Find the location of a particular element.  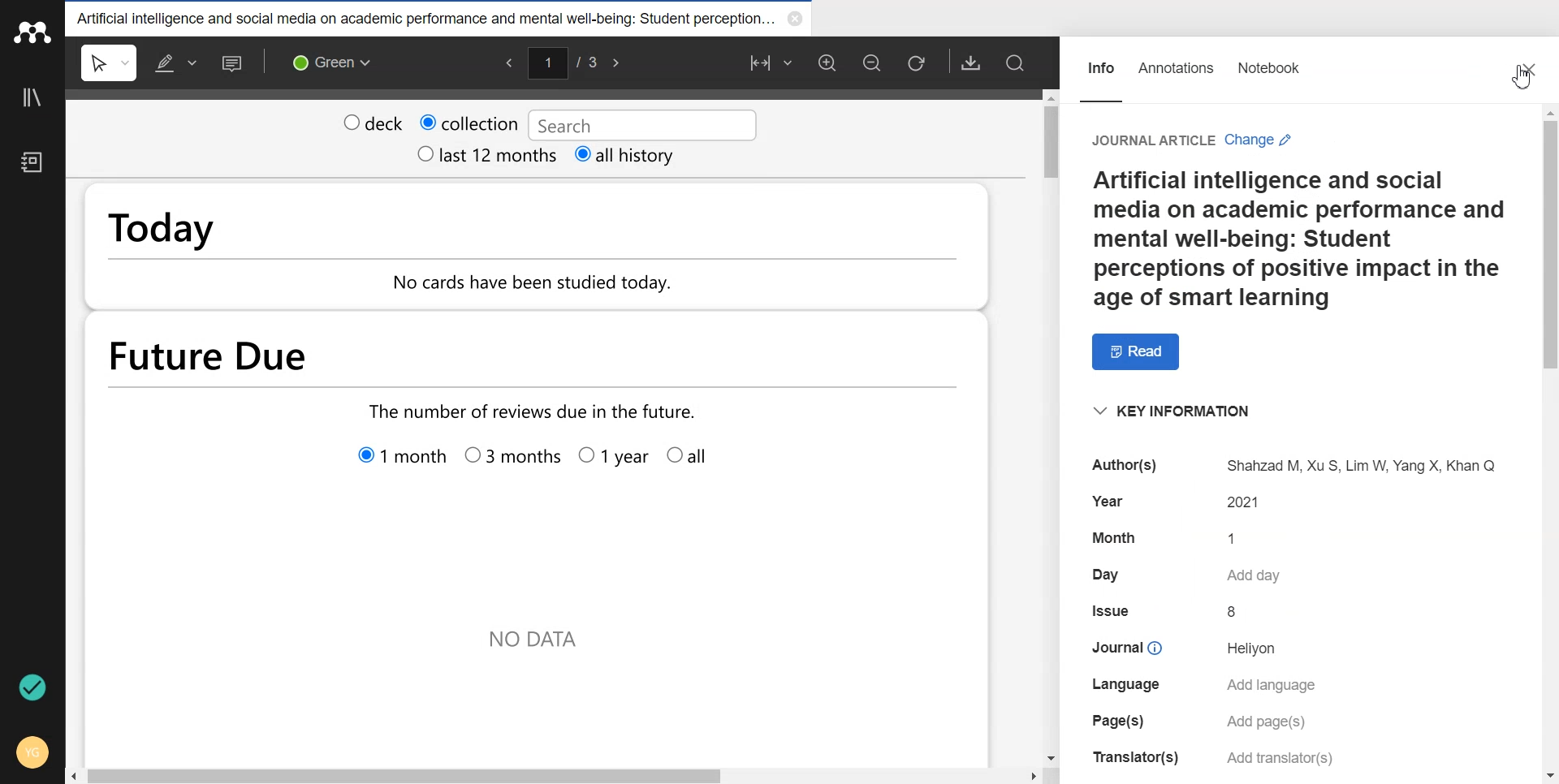

Sticky notes is located at coordinates (234, 62).